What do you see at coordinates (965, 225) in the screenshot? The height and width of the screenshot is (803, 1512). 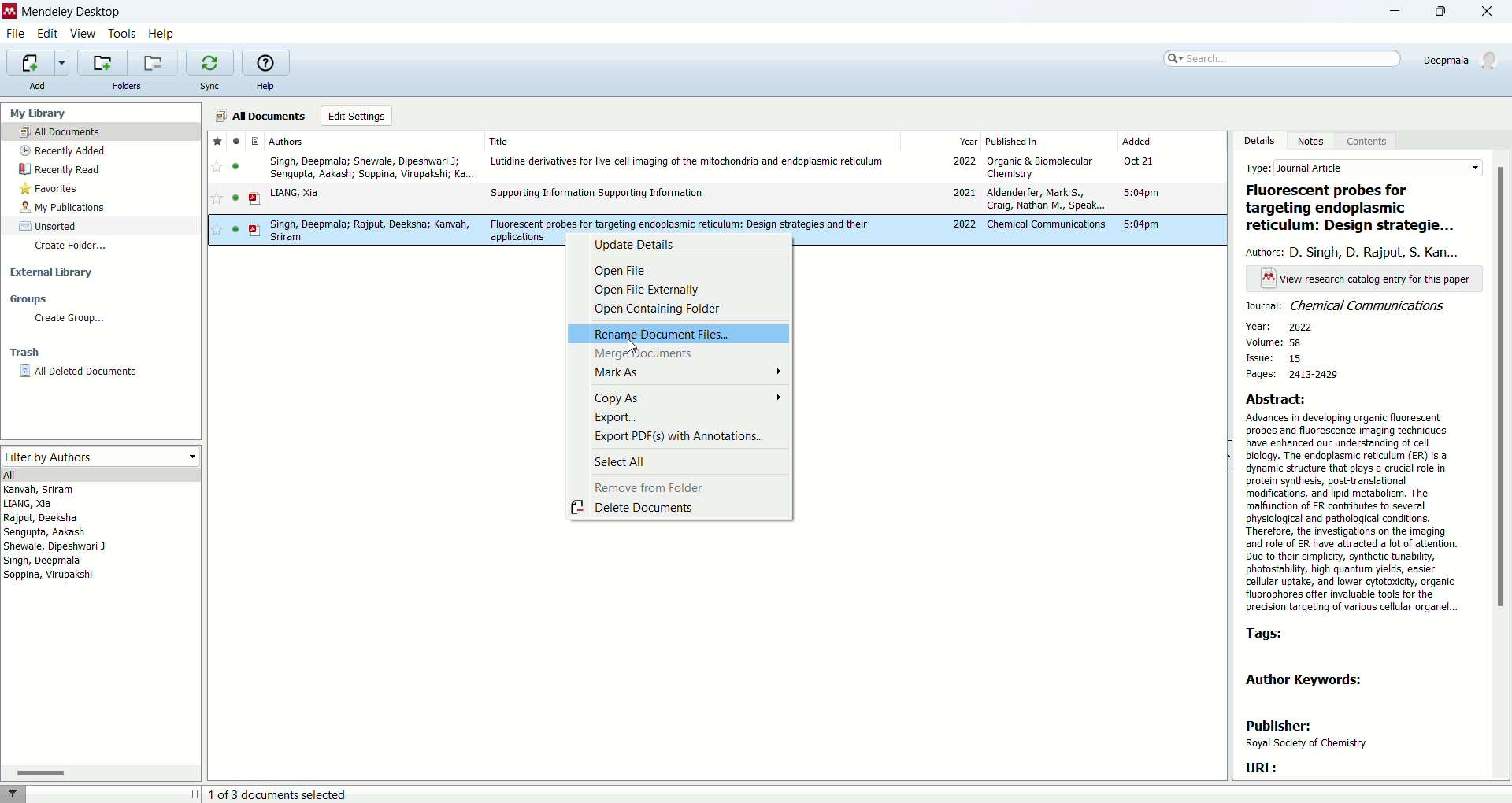 I see `2022` at bounding box center [965, 225].